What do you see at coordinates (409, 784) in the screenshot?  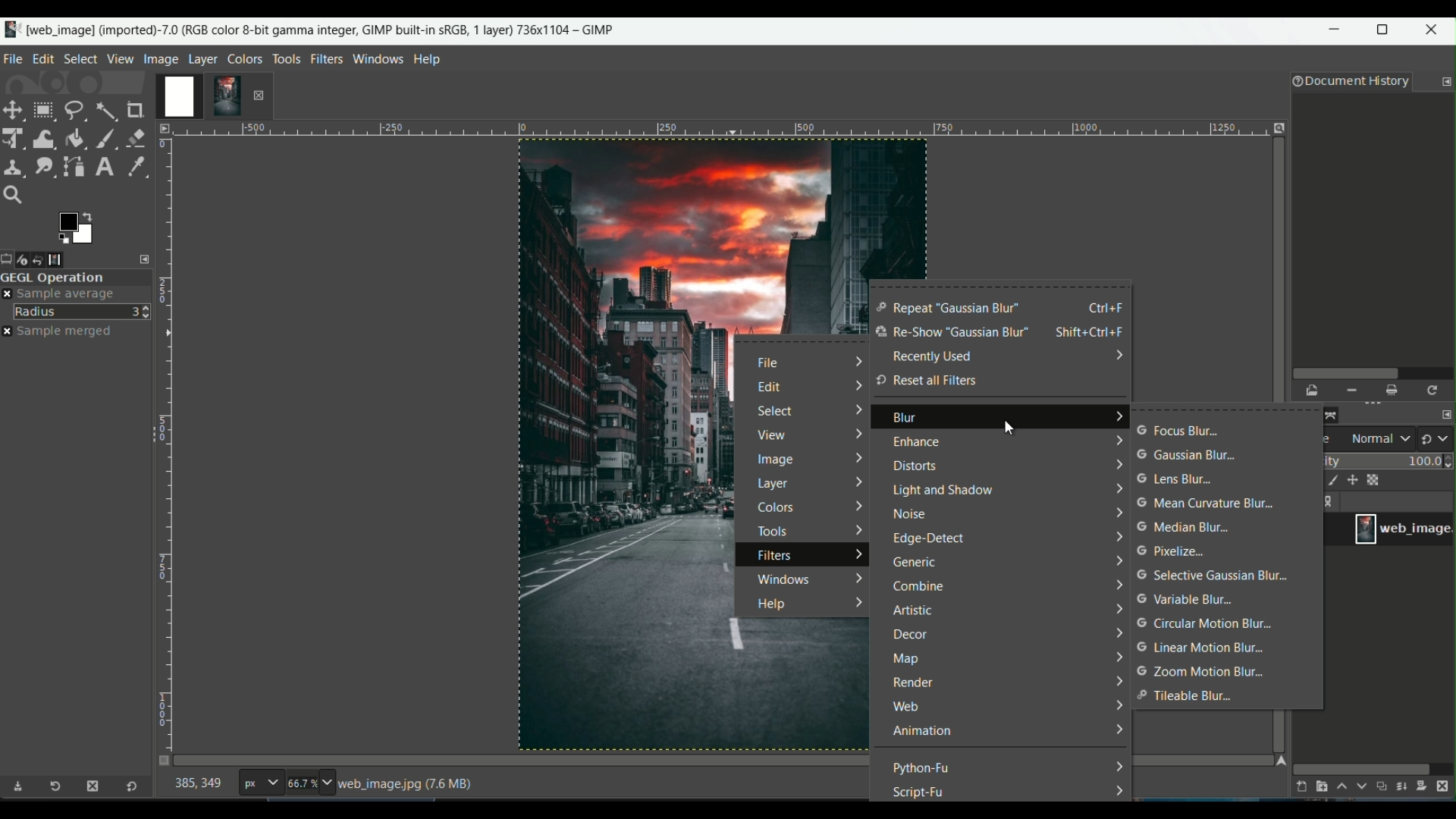 I see `description` at bounding box center [409, 784].